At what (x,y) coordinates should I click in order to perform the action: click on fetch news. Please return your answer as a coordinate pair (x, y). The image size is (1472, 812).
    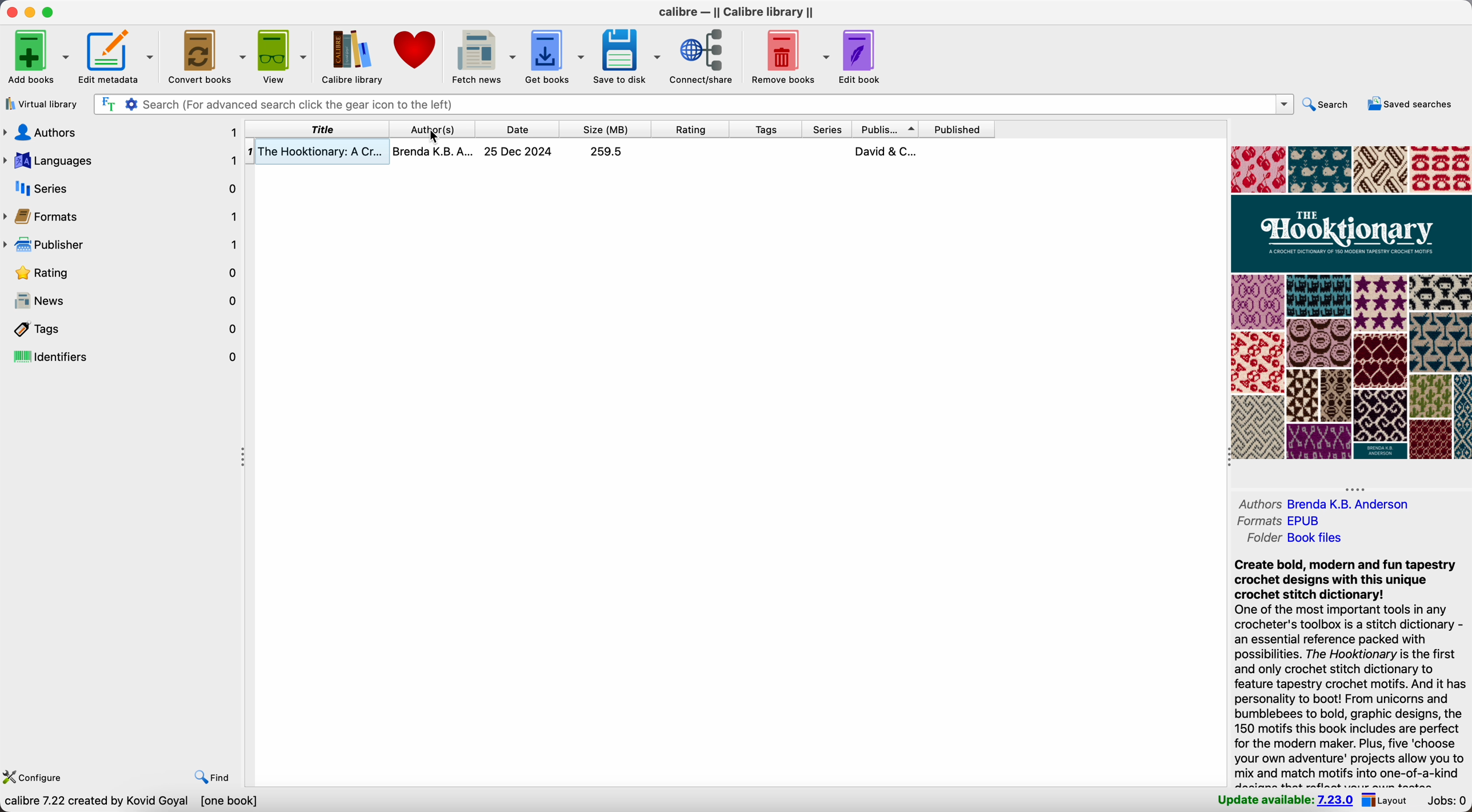
    Looking at the image, I should click on (483, 54).